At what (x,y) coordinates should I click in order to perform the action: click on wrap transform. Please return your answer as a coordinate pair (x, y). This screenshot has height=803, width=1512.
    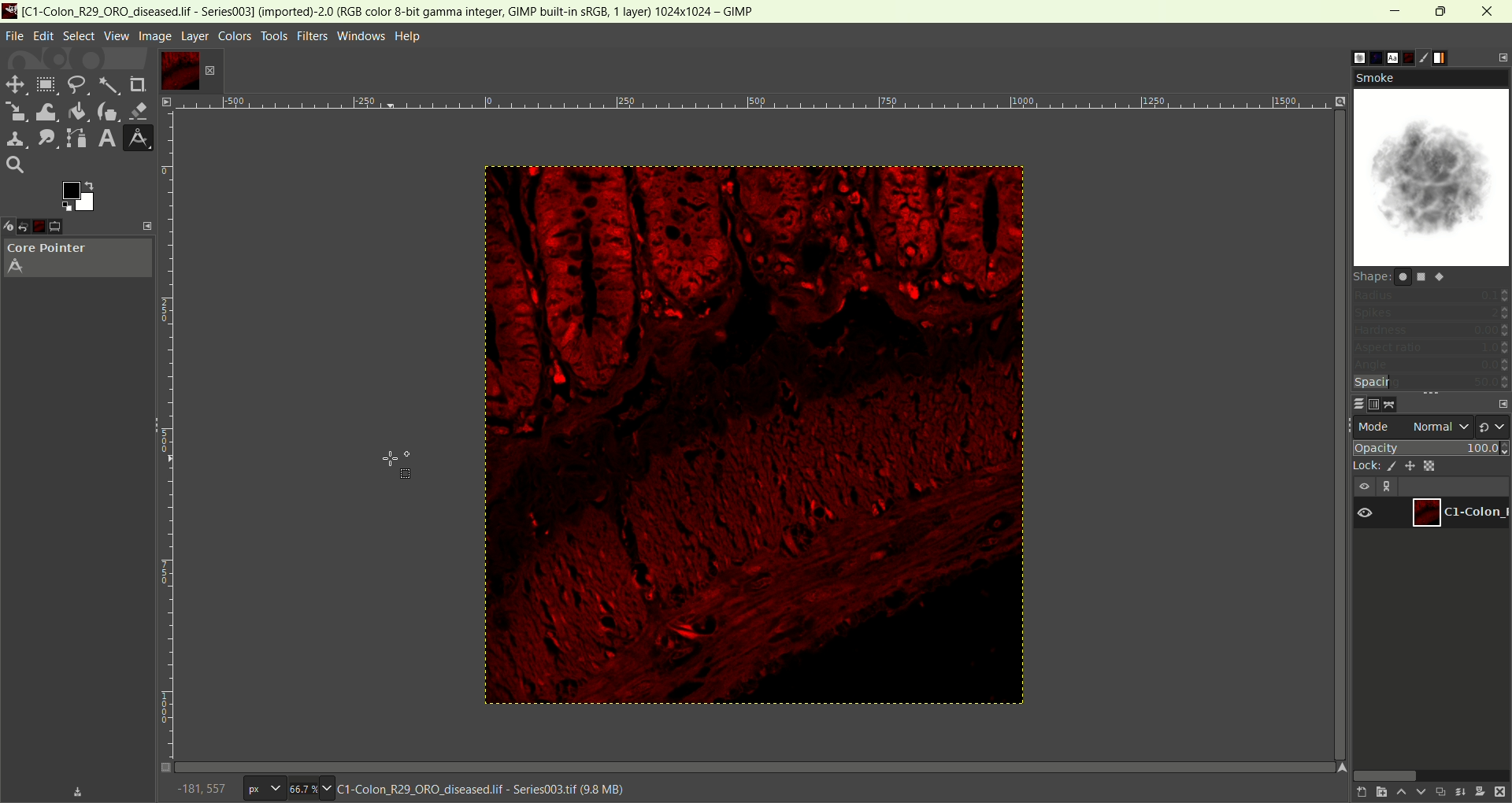
    Looking at the image, I should click on (43, 111).